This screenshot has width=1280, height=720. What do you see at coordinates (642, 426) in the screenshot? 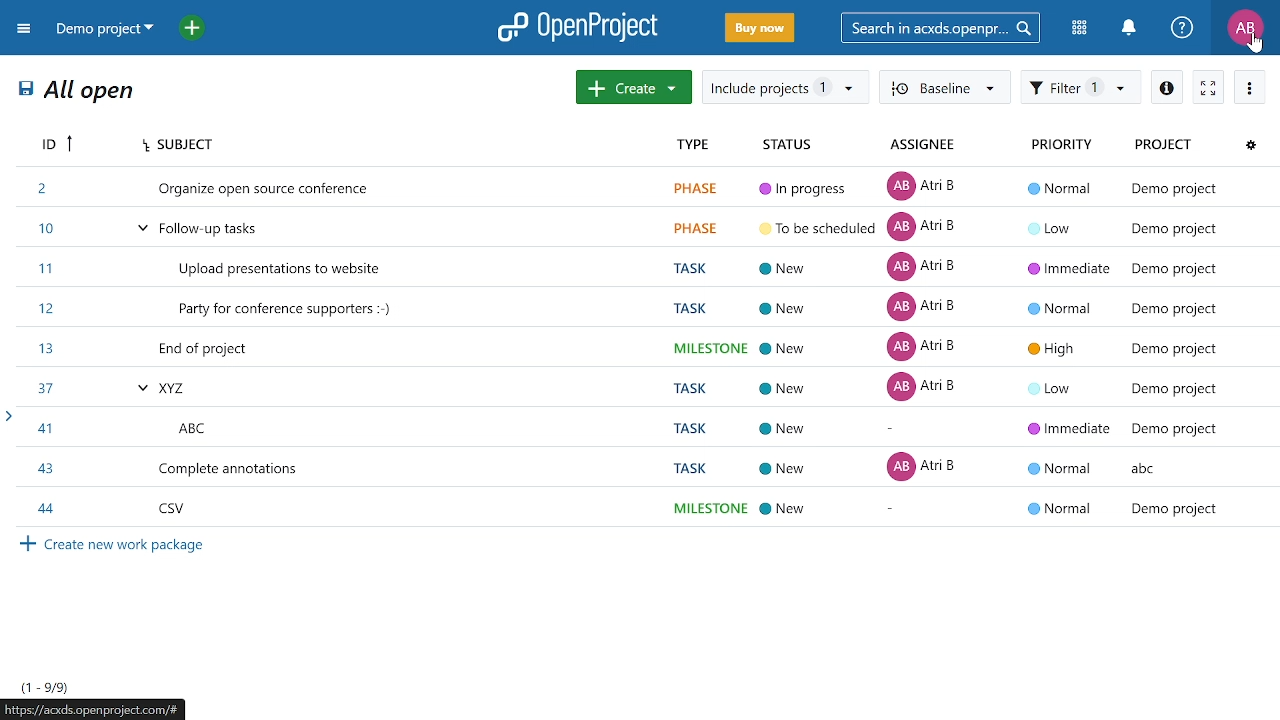
I see `task titled "ABC"` at bounding box center [642, 426].